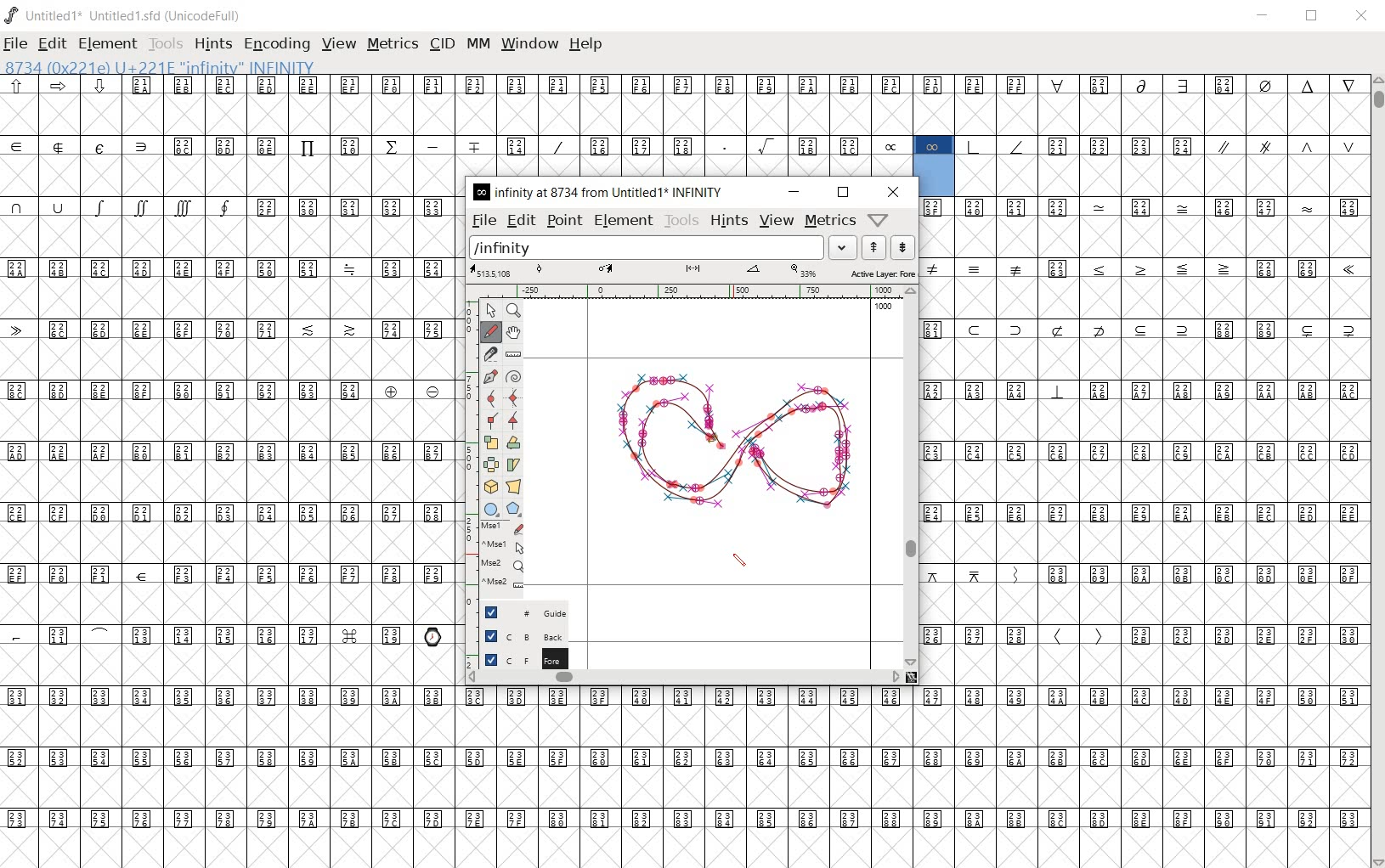  I want to click on empty glyph slots, so click(1146, 298).